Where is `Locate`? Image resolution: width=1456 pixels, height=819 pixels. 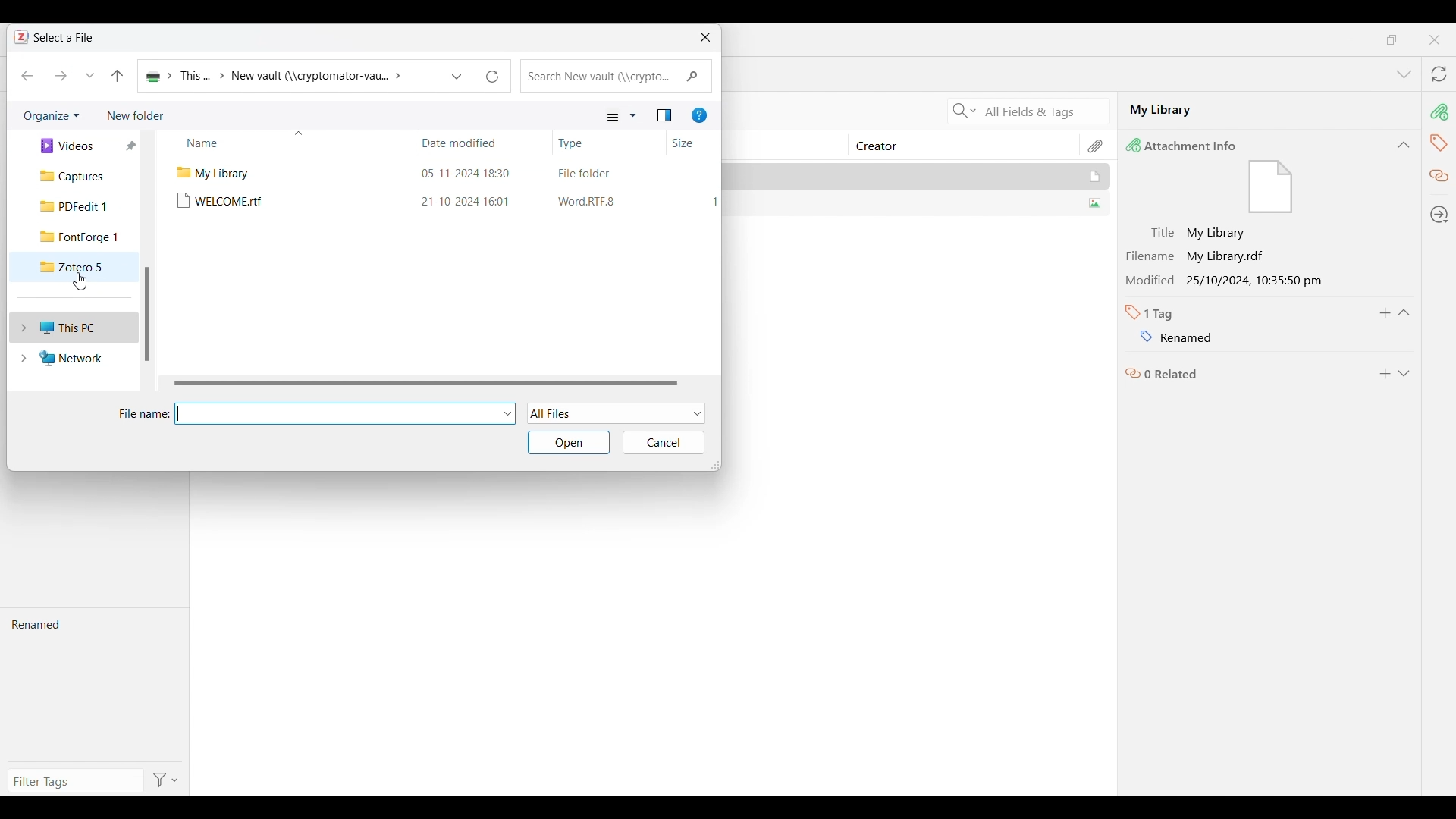 Locate is located at coordinates (1439, 215).